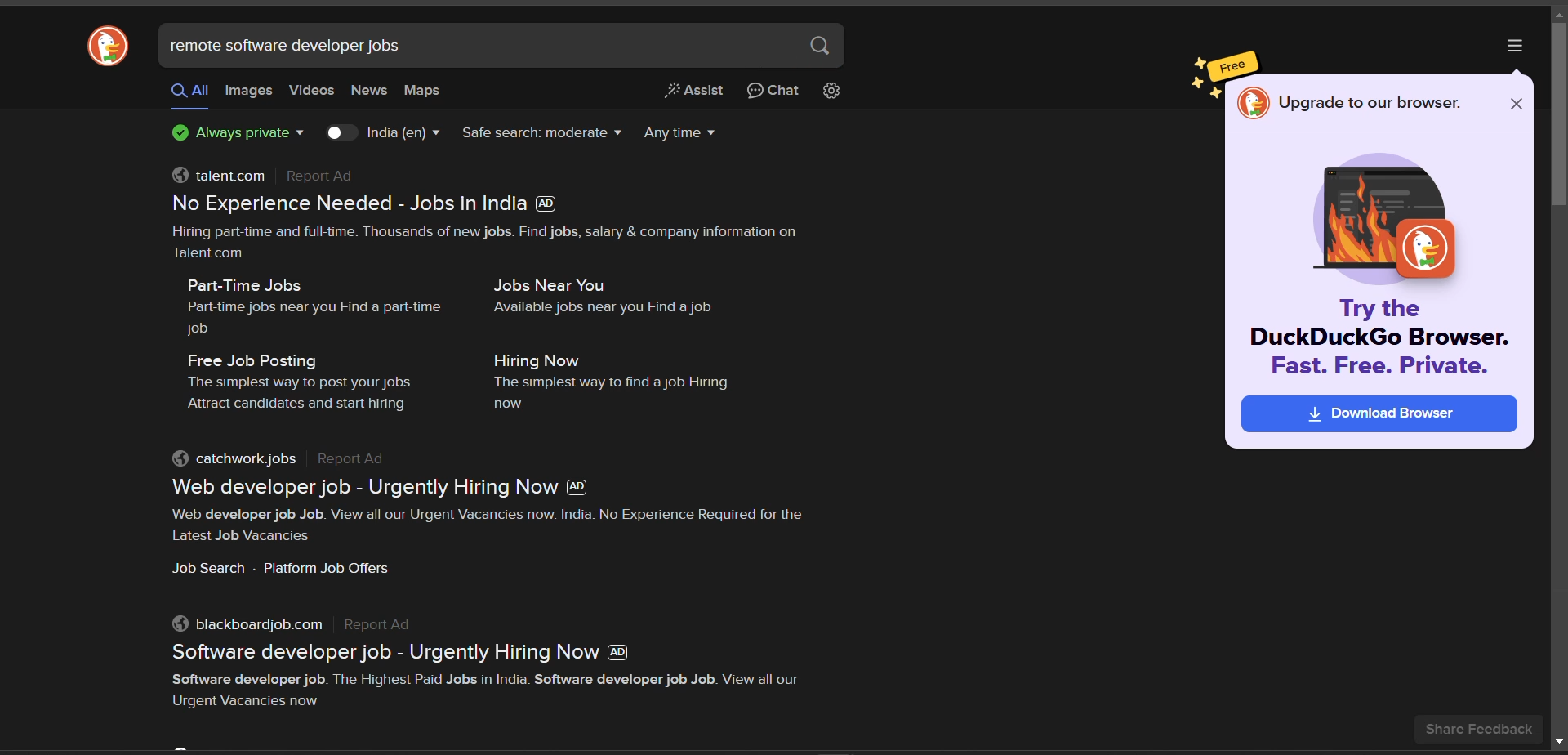  I want to click on all, so click(190, 92).